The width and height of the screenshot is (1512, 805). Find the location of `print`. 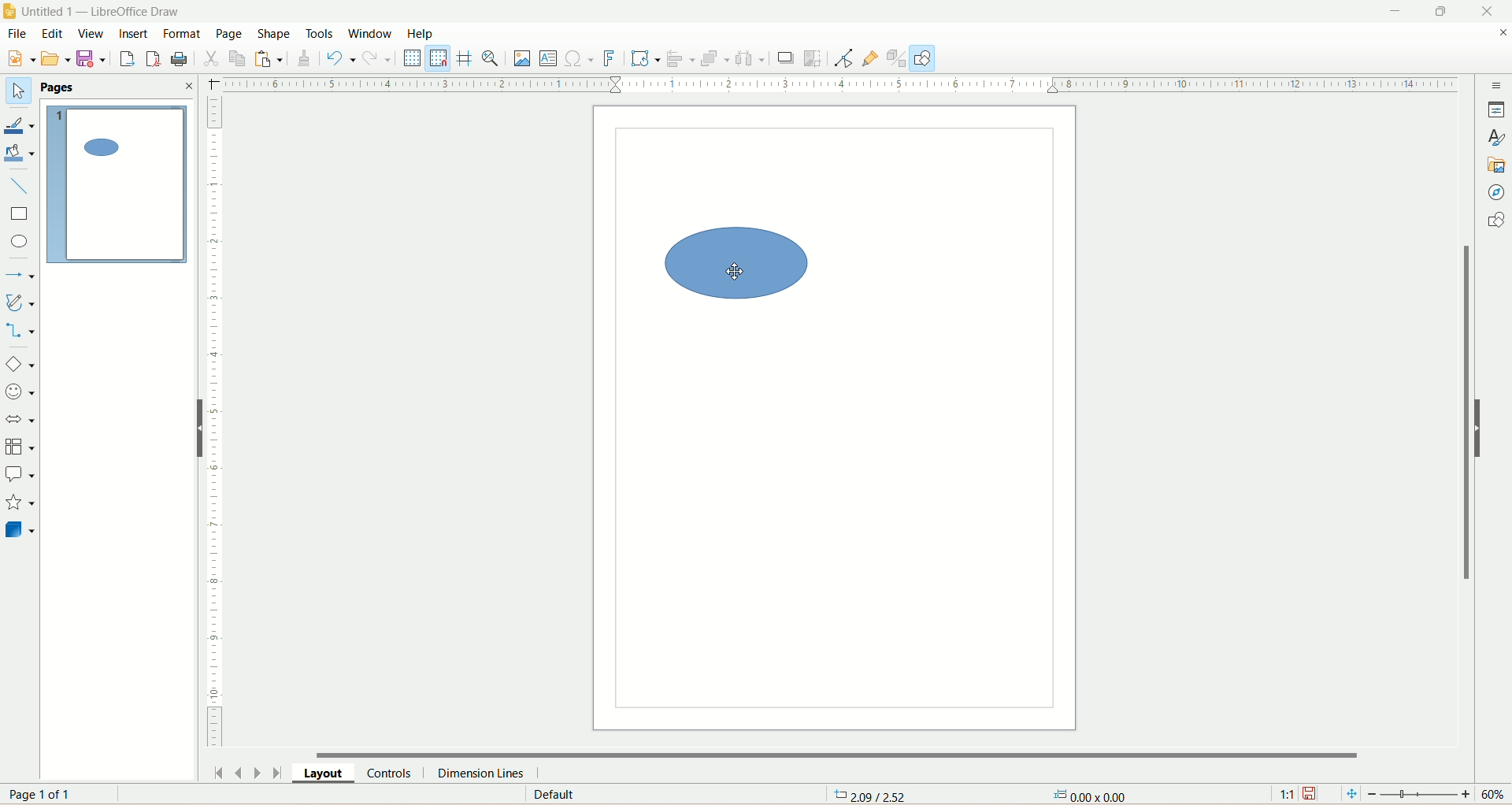

print is located at coordinates (185, 60).